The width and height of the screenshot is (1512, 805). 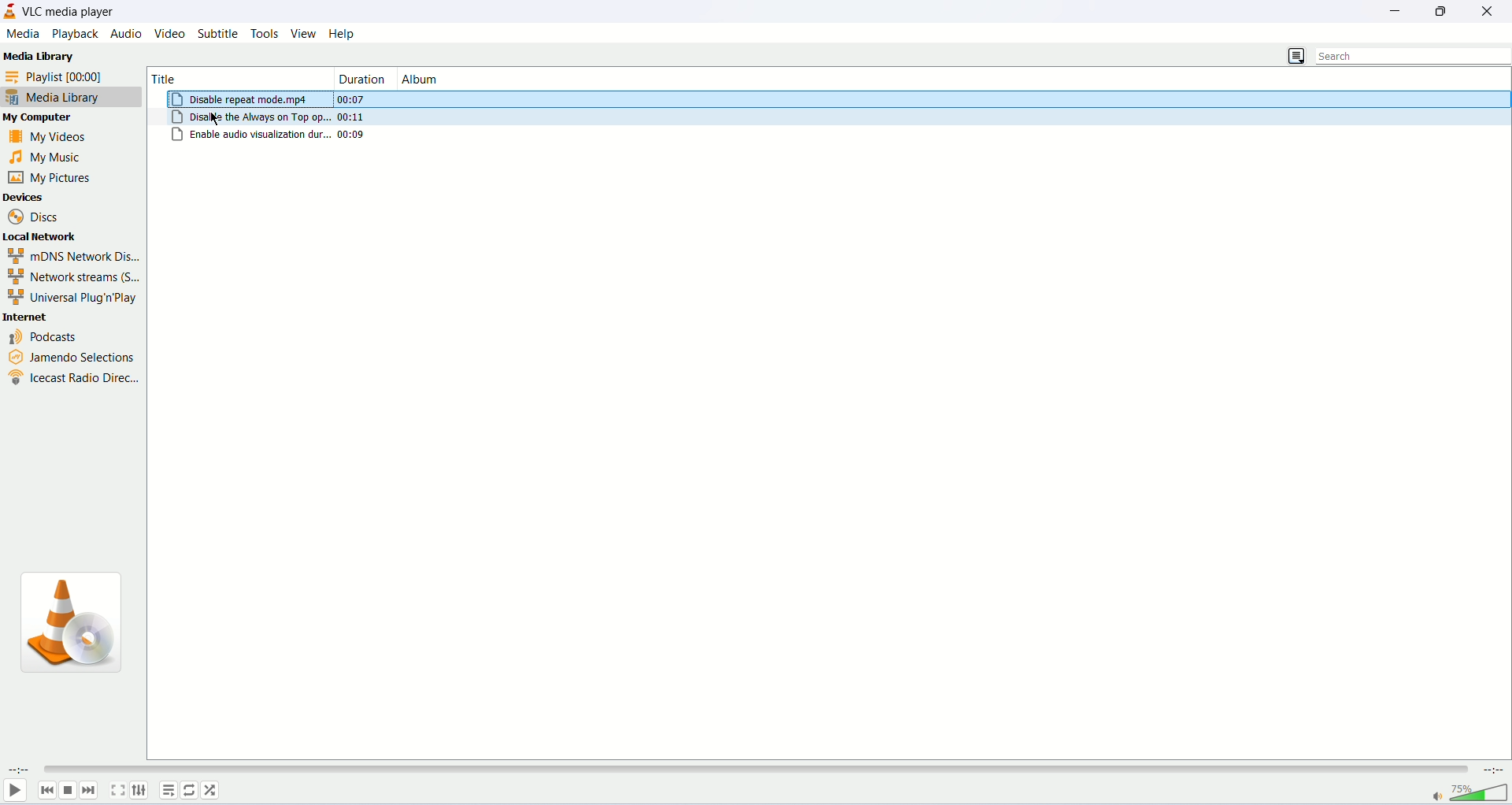 What do you see at coordinates (209, 790) in the screenshot?
I see `random` at bounding box center [209, 790].